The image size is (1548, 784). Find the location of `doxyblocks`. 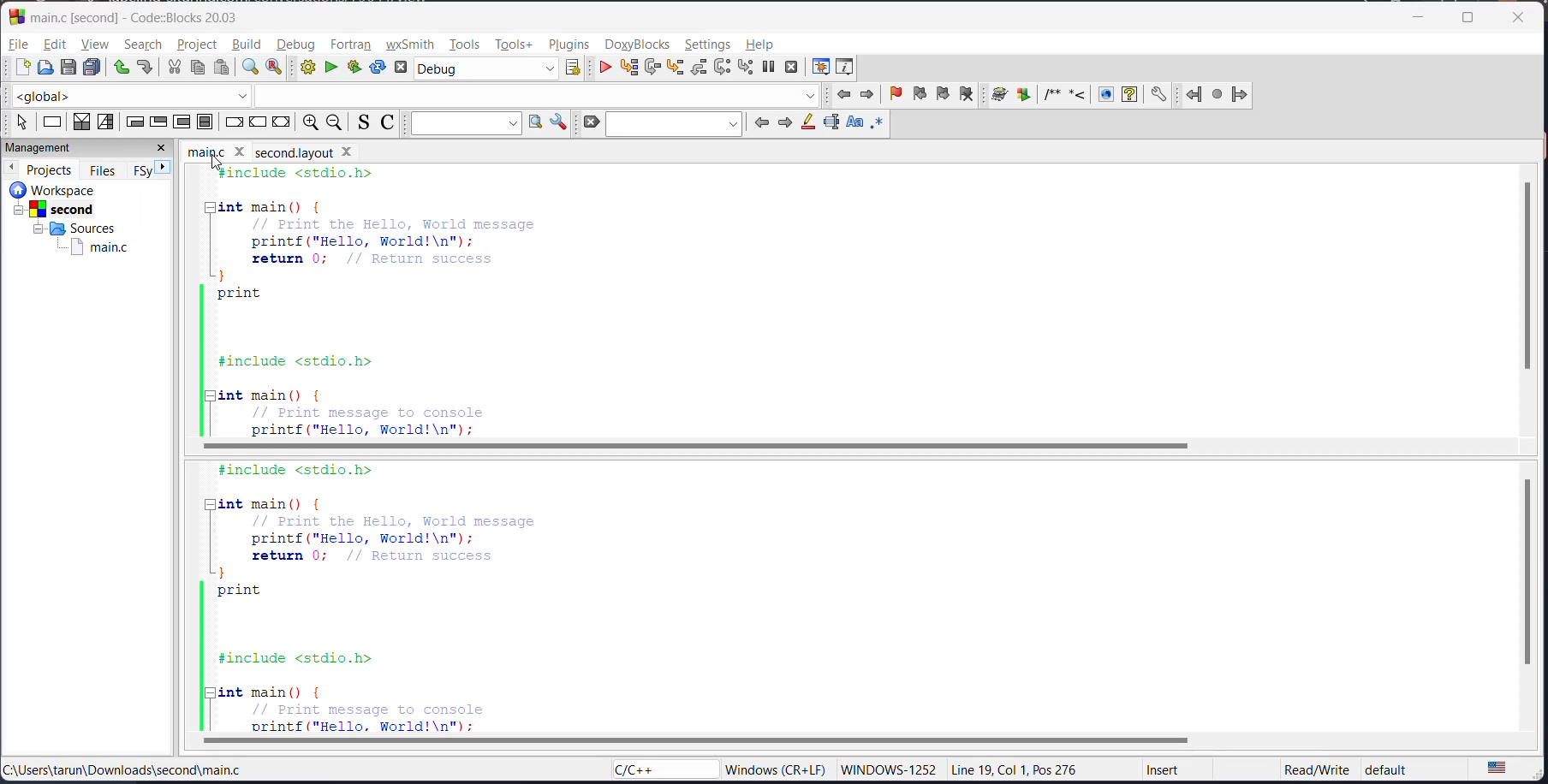

doxyblocks is located at coordinates (639, 44).